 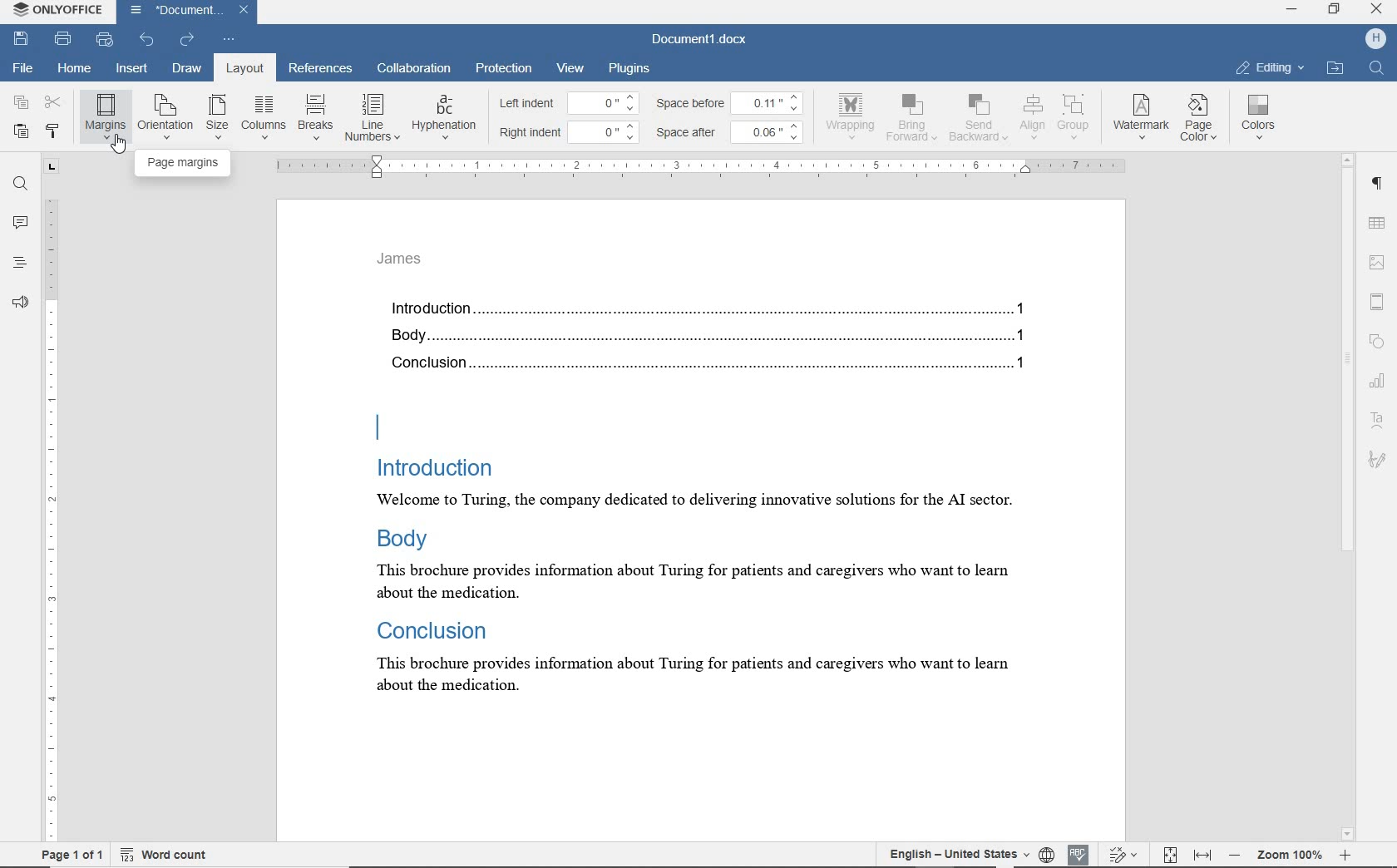 I want to click on profile, so click(x=1374, y=38).